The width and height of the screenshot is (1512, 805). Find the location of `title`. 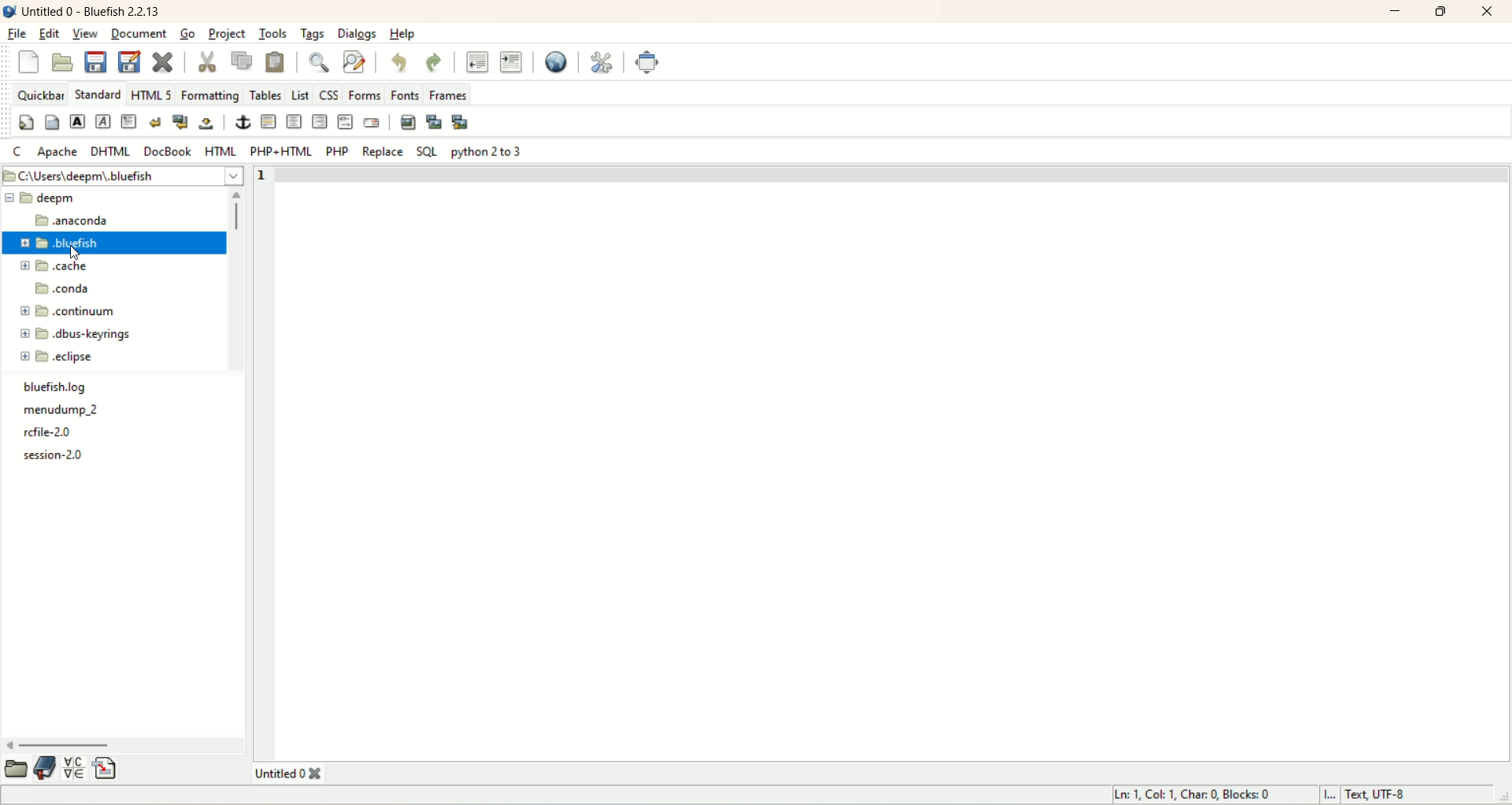

title is located at coordinates (298, 773).